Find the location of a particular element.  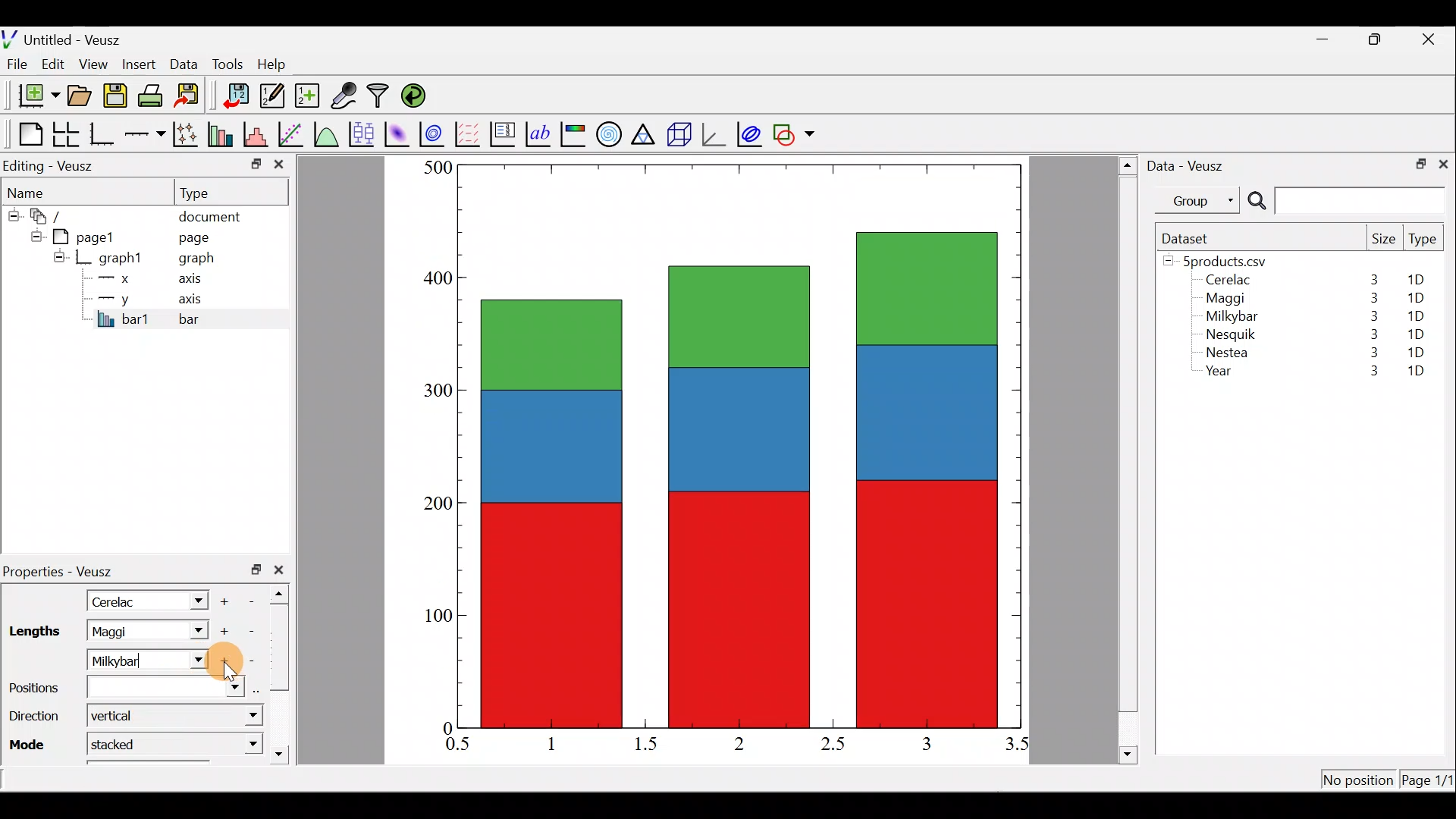

500 is located at coordinates (437, 167).